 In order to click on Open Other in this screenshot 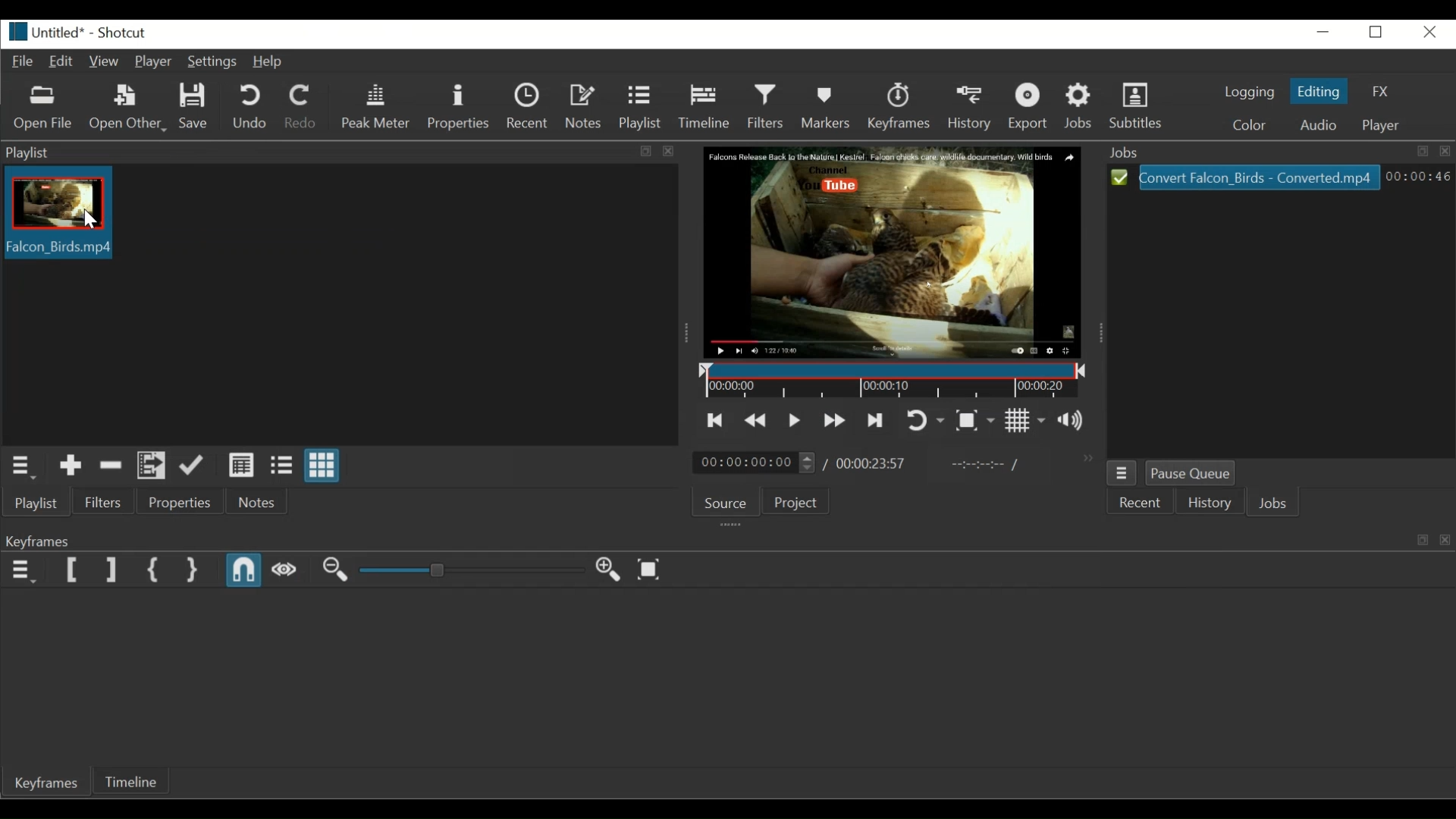, I will do `click(126, 108)`.